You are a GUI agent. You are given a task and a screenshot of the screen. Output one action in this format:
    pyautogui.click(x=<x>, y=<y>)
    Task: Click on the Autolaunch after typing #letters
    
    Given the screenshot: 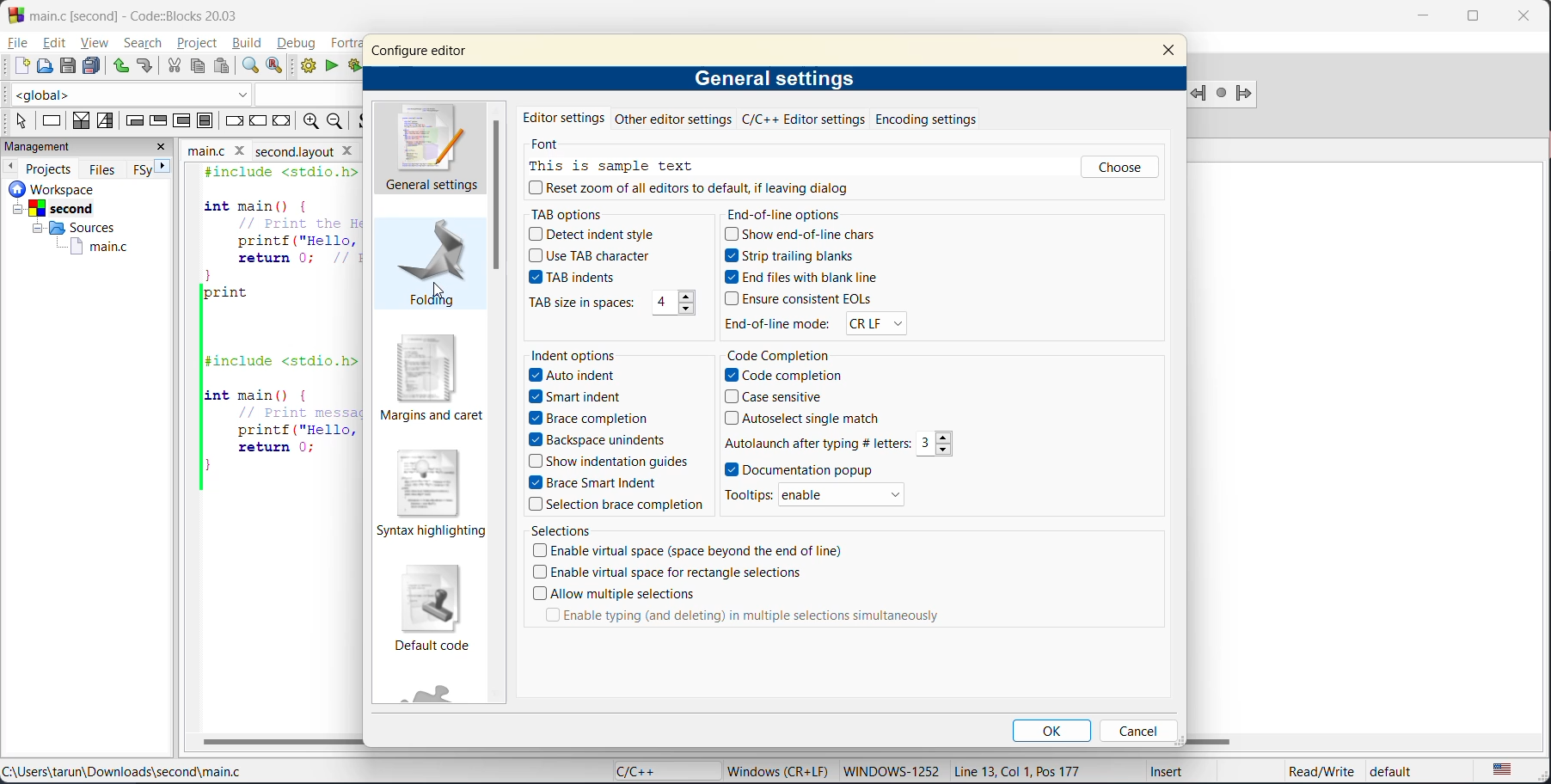 What is the action you would take?
    pyautogui.click(x=816, y=442)
    